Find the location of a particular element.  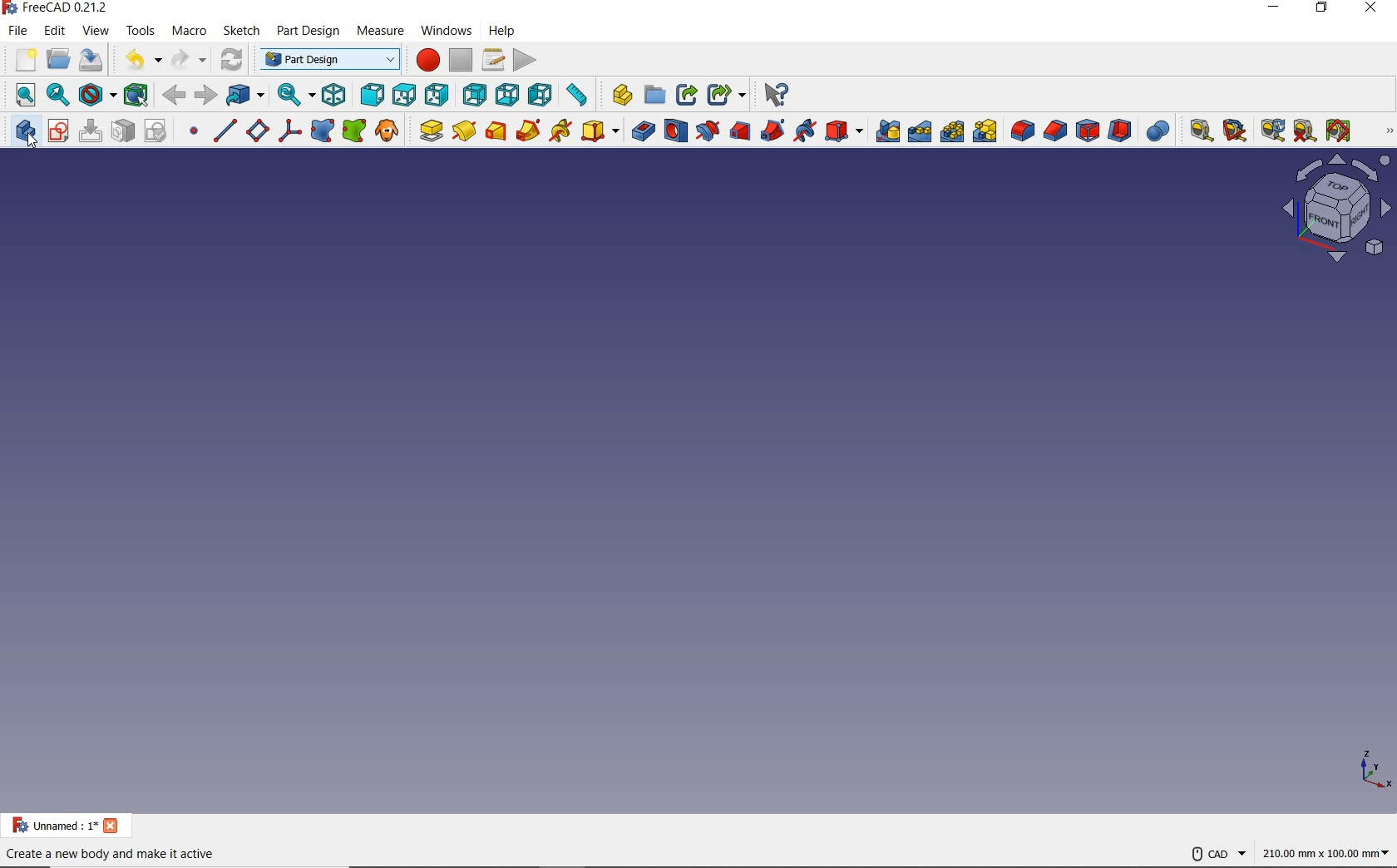

bounding box is located at coordinates (138, 96).